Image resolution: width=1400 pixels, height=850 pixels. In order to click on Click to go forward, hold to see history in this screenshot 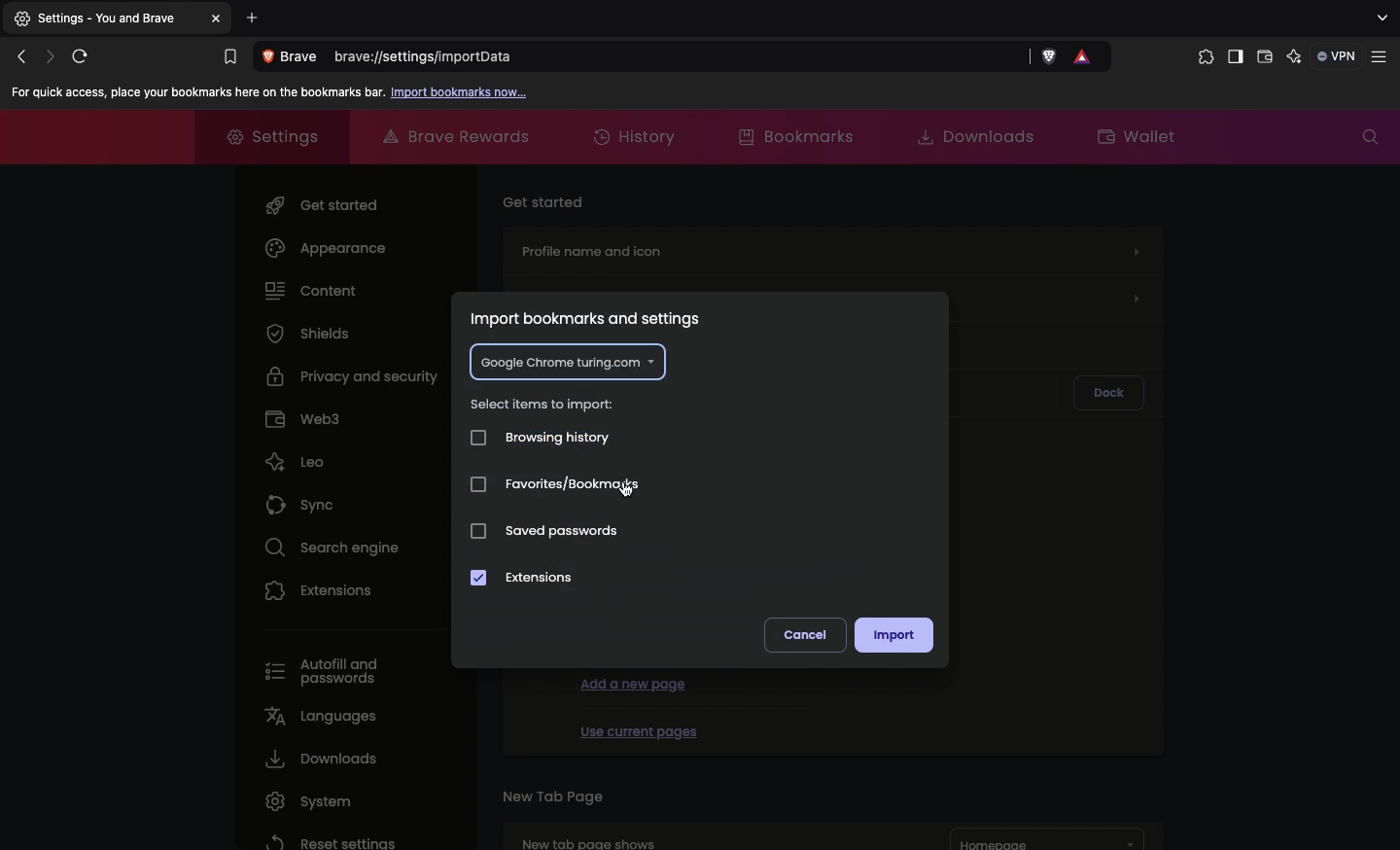, I will do `click(51, 55)`.